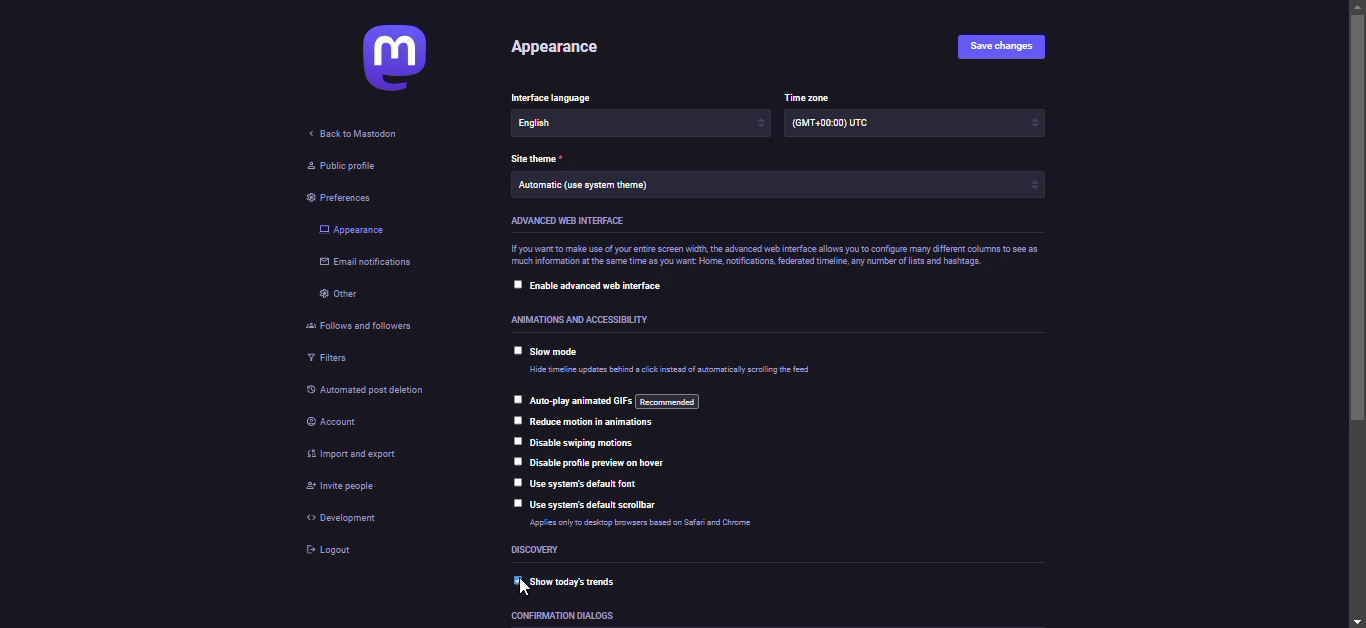  Describe the element at coordinates (587, 185) in the screenshot. I see `theme` at that location.